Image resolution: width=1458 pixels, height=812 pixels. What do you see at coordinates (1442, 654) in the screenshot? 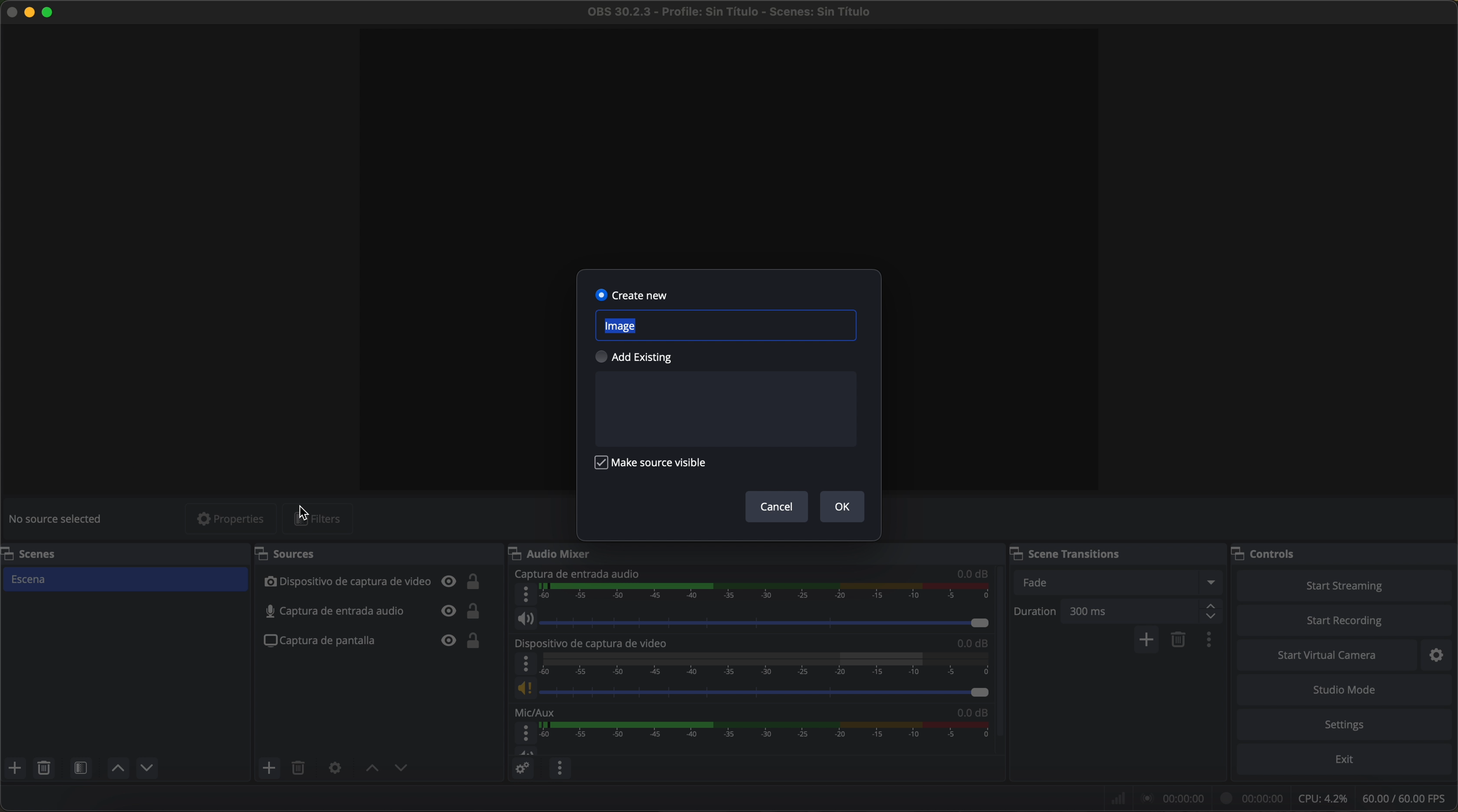
I see `settings` at bounding box center [1442, 654].